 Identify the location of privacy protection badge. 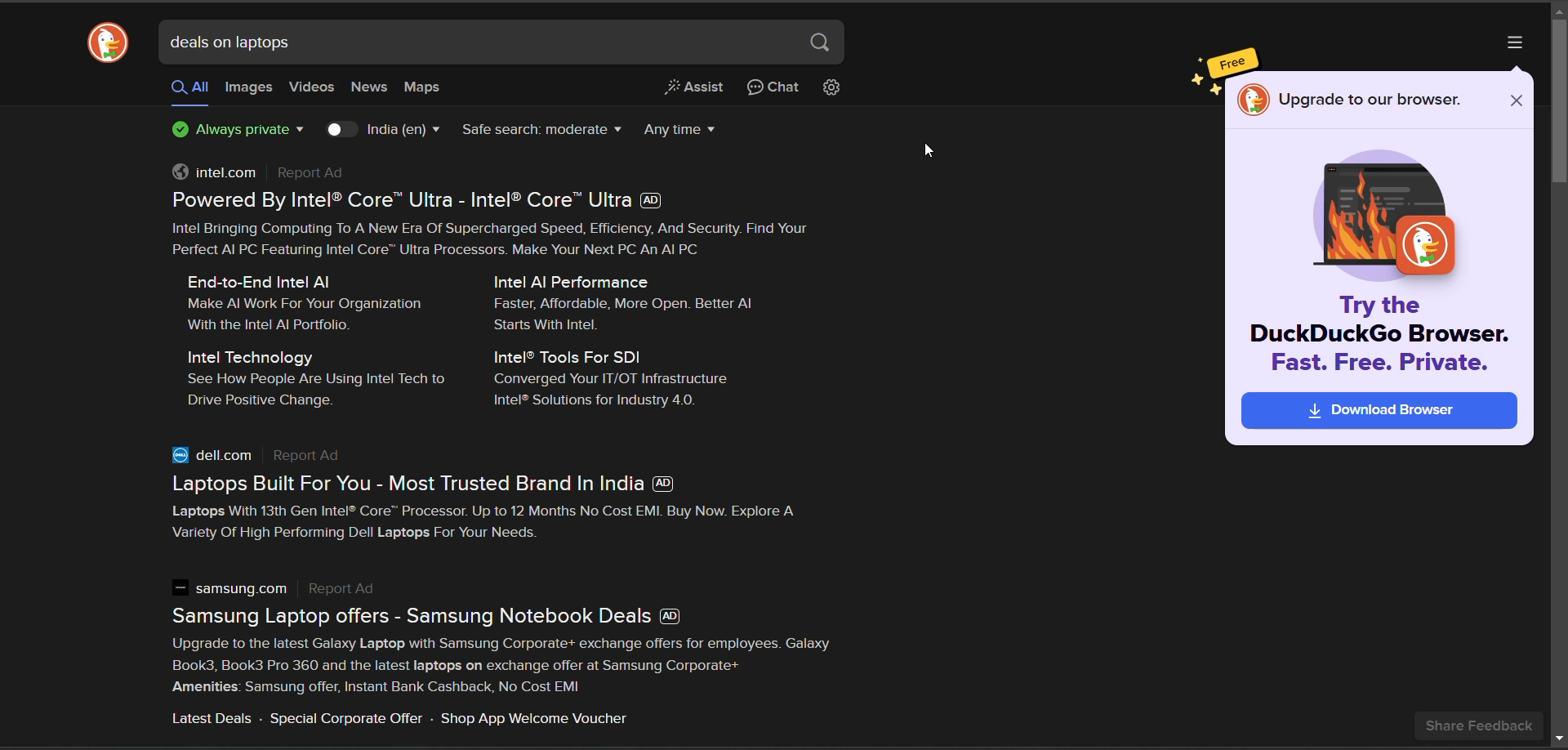
(235, 131).